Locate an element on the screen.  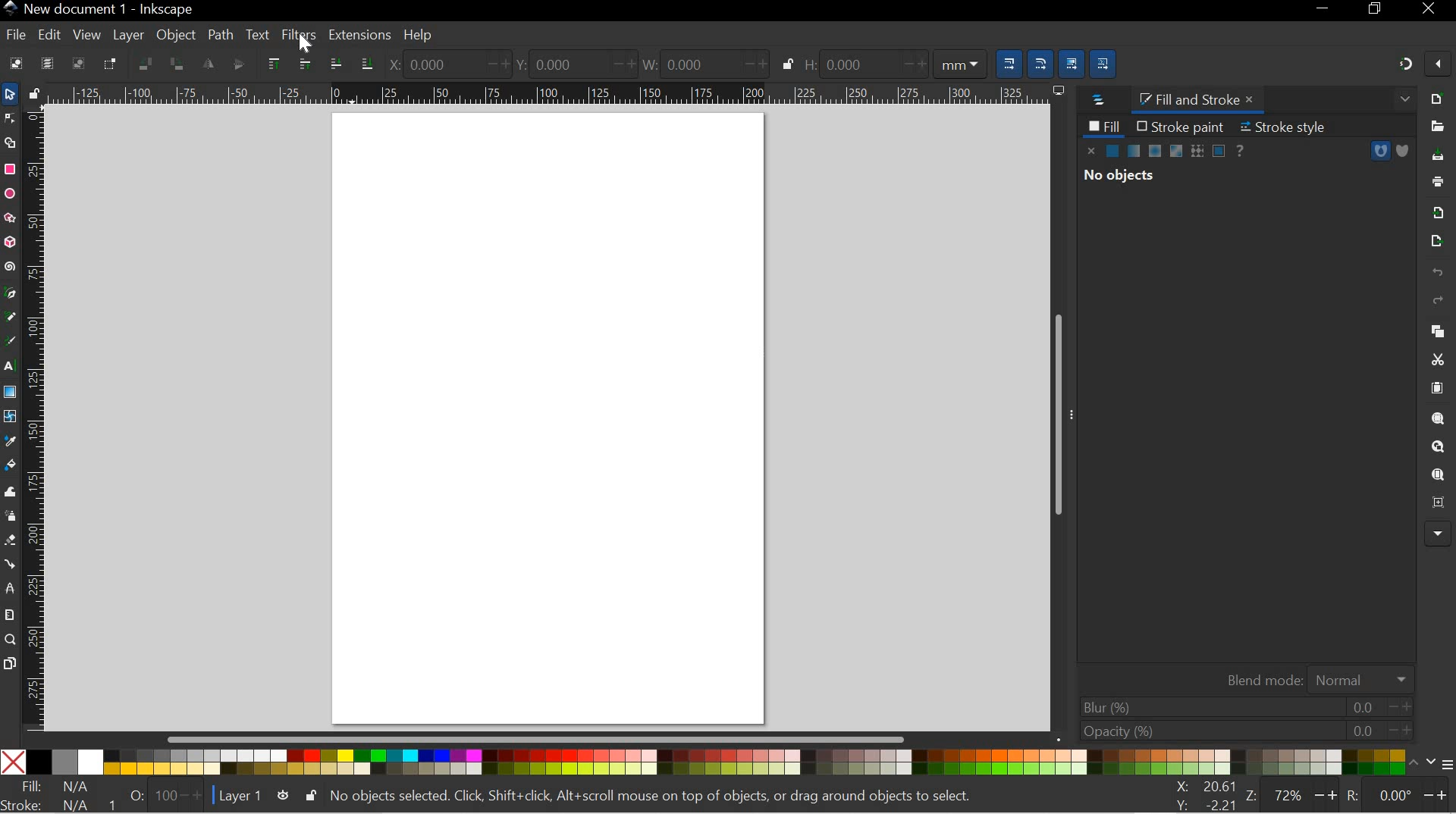
RANGE OF FIT AND STROKE is located at coordinates (160, 795).